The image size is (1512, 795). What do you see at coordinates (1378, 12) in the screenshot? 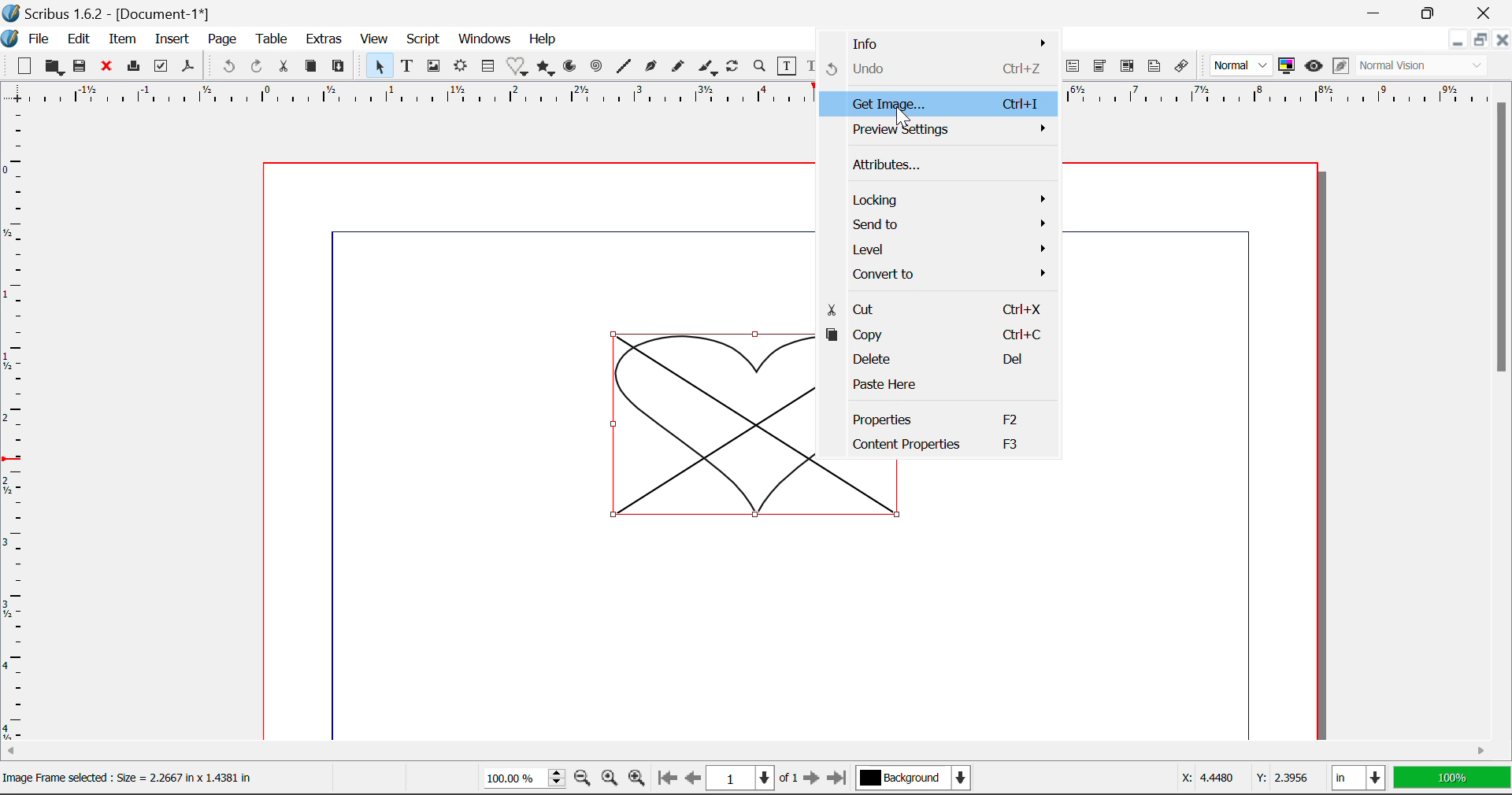
I see `Restore Down` at bounding box center [1378, 12].